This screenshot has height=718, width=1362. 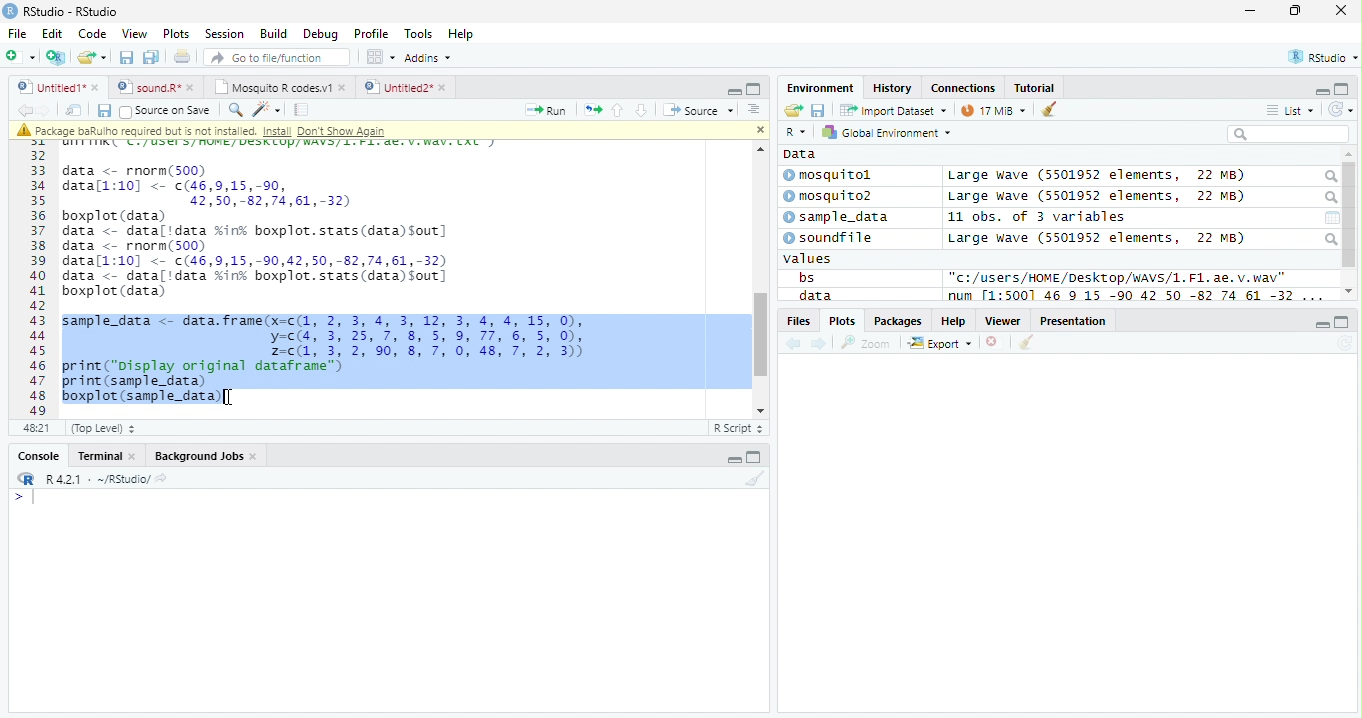 What do you see at coordinates (1344, 344) in the screenshot?
I see `Refresh` at bounding box center [1344, 344].